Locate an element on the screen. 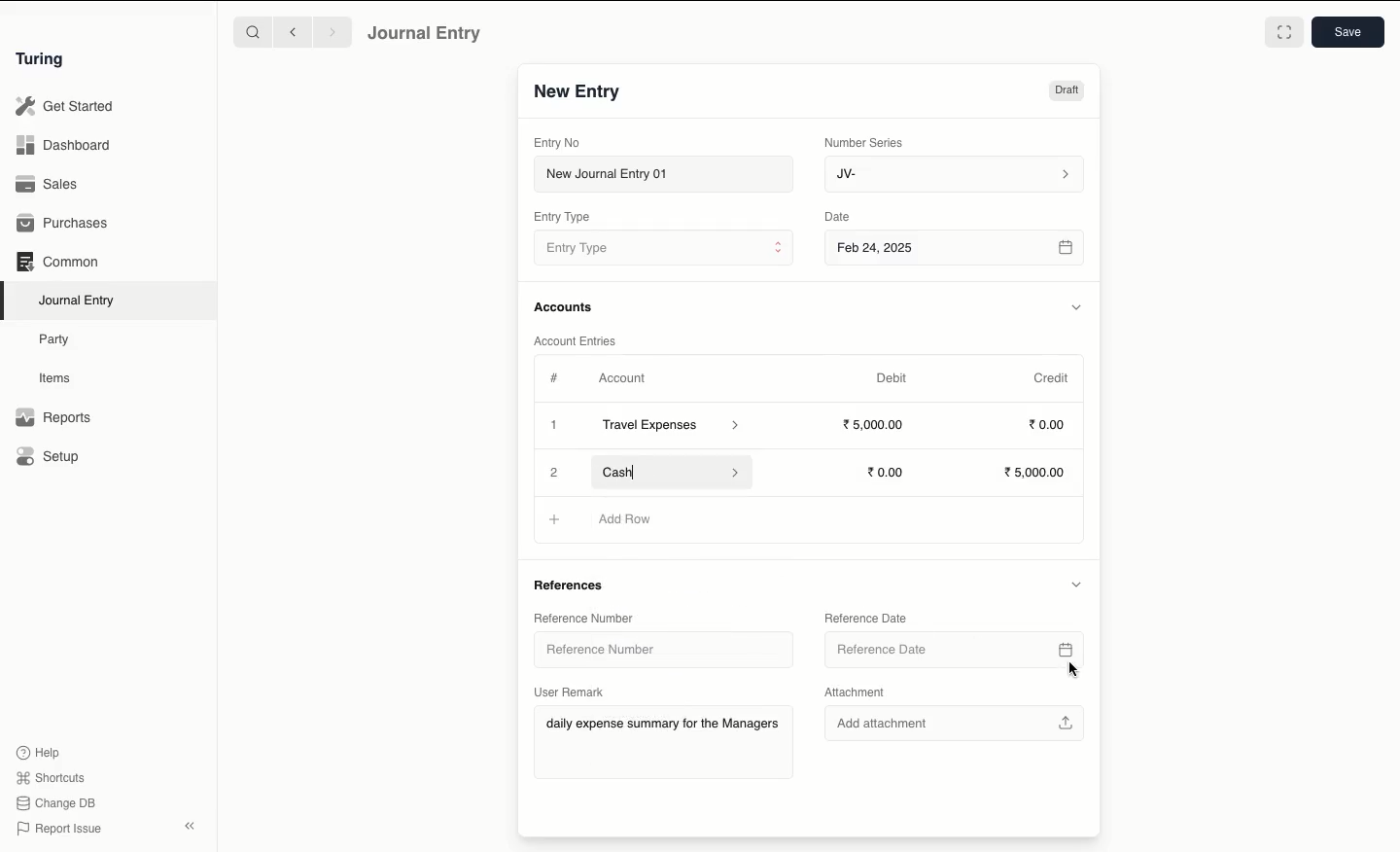 Image resolution: width=1400 pixels, height=852 pixels. Travel Expenses is located at coordinates (673, 427).